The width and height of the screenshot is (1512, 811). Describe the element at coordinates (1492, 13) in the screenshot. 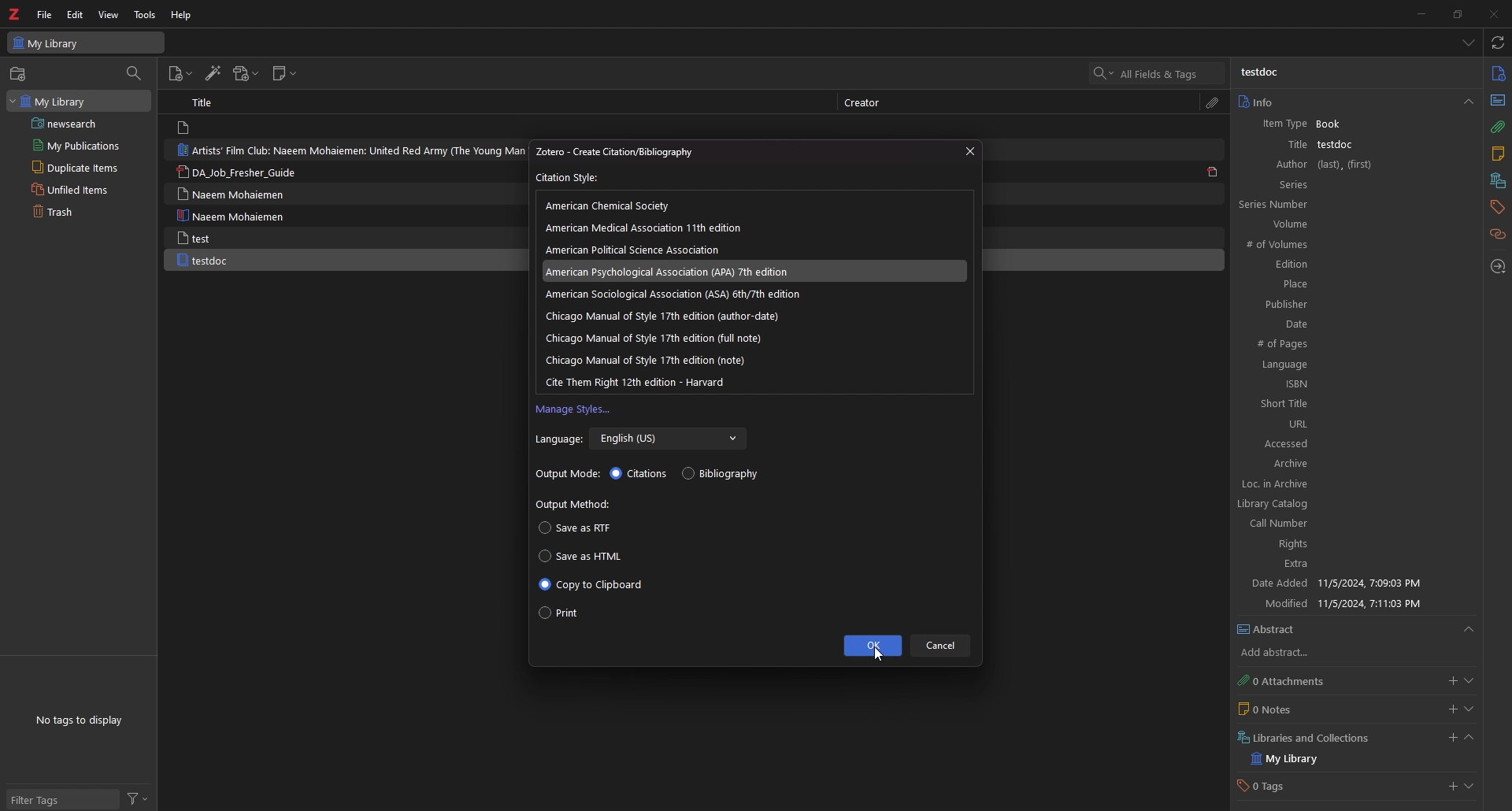

I see `close` at that location.